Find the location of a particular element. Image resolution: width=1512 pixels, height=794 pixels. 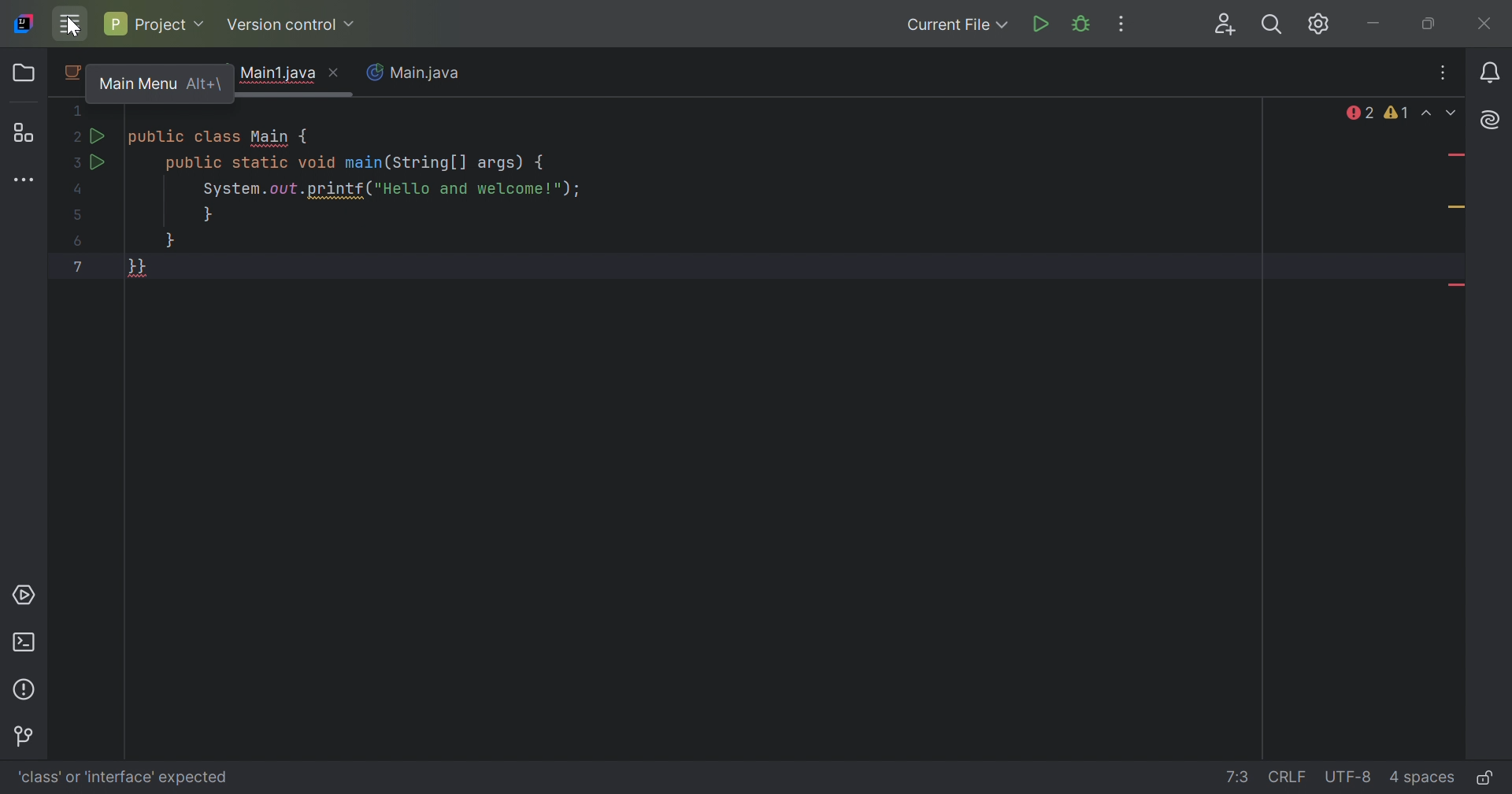

Version control is located at coordinates (28, 737).